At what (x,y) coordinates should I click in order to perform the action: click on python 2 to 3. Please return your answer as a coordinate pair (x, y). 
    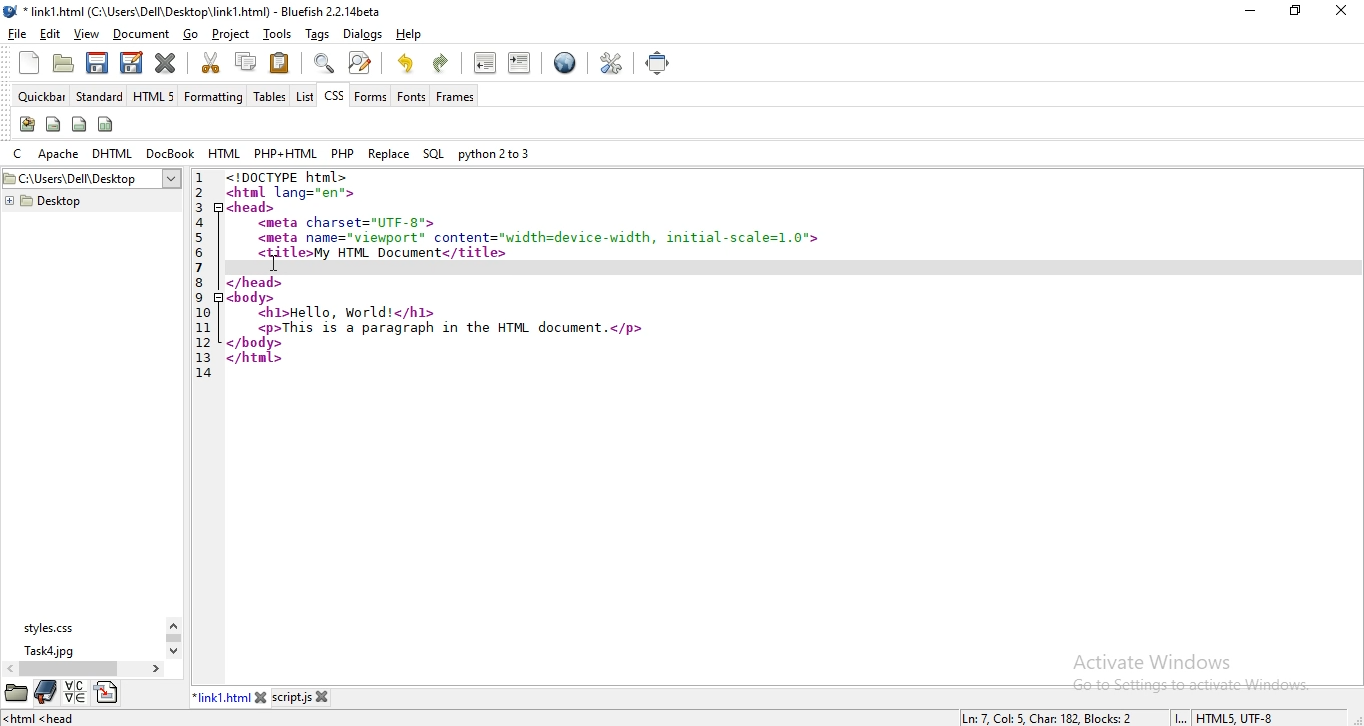
    Looking at the image, I should click on (495, 153).